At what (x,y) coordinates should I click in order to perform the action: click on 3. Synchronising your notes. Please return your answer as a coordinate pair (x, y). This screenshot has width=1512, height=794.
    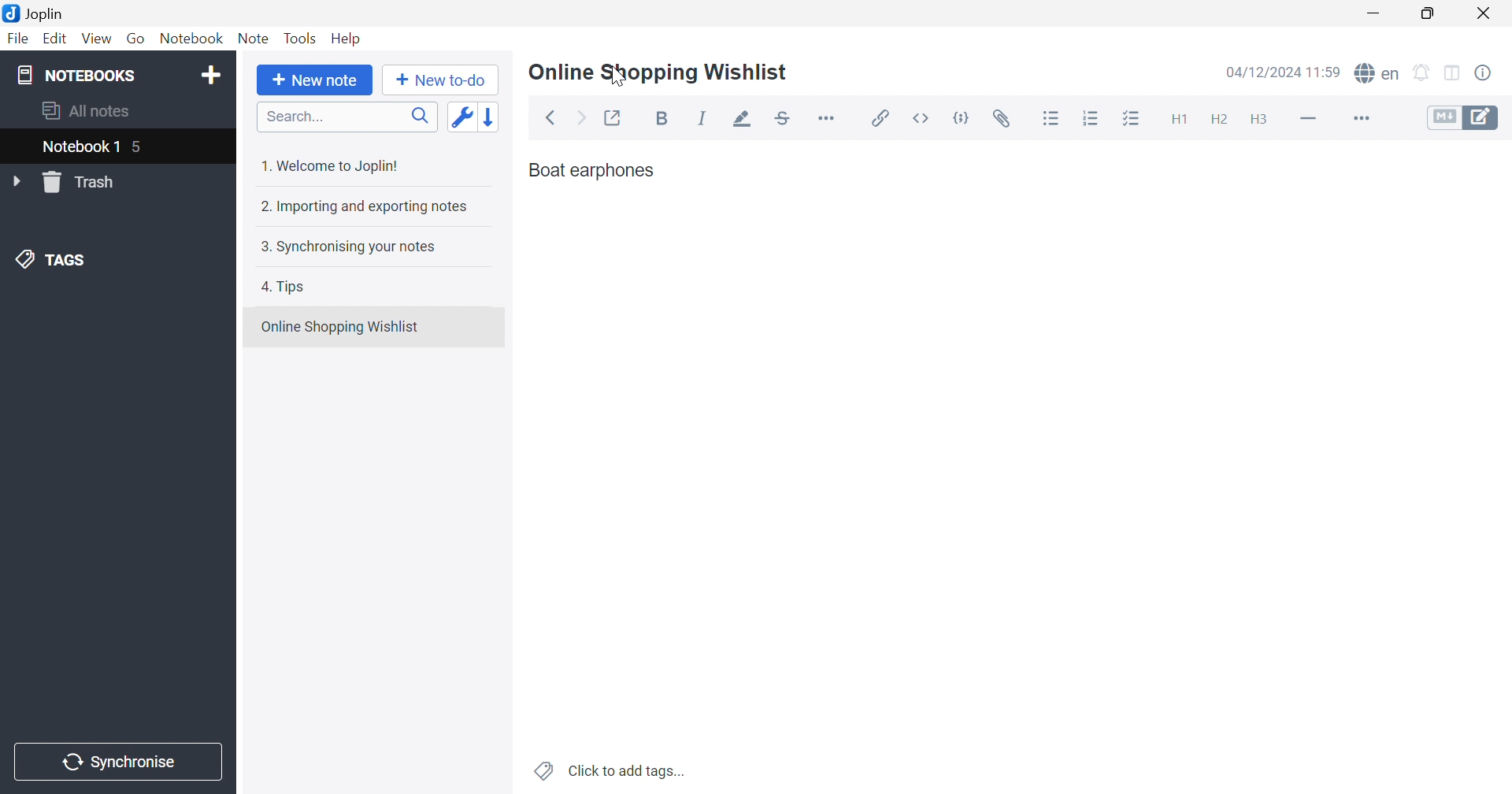
    Looking at the image, I should click on (347, 247).